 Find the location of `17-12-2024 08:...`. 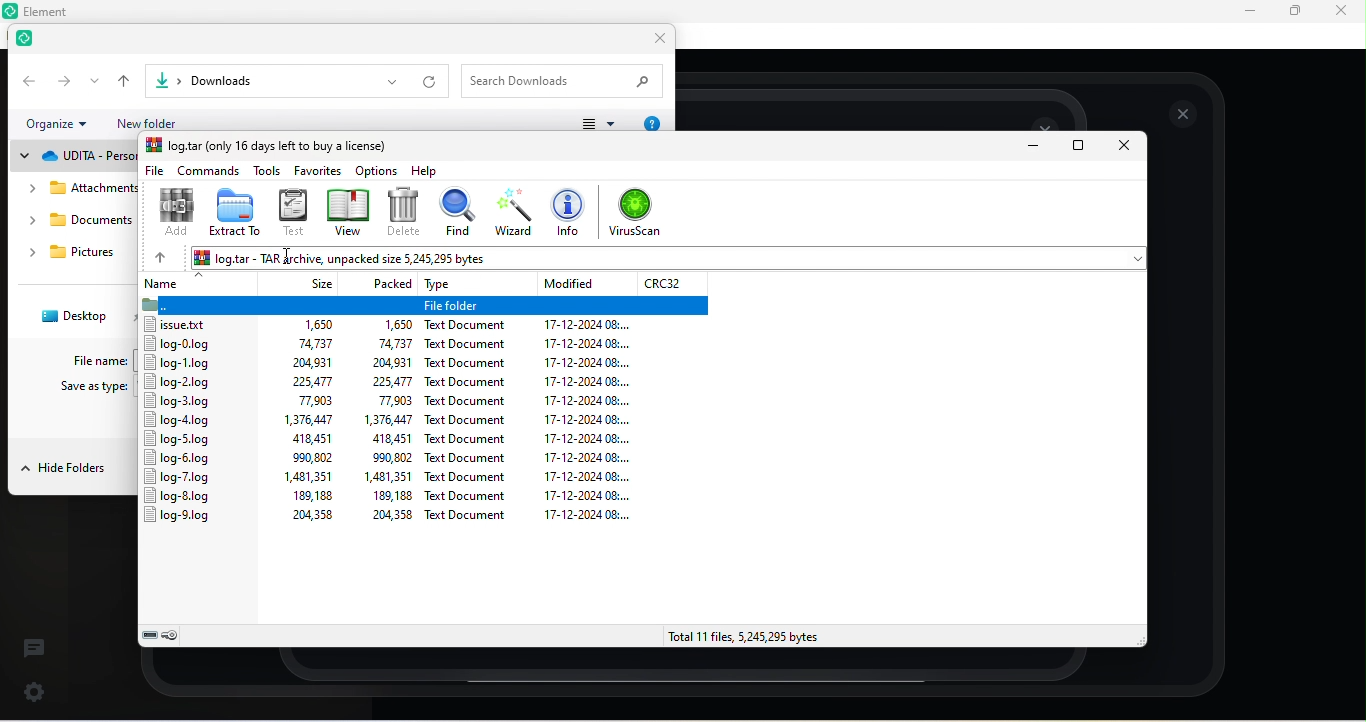

17-12-2024 08:... is located at coordinates (594, 344).